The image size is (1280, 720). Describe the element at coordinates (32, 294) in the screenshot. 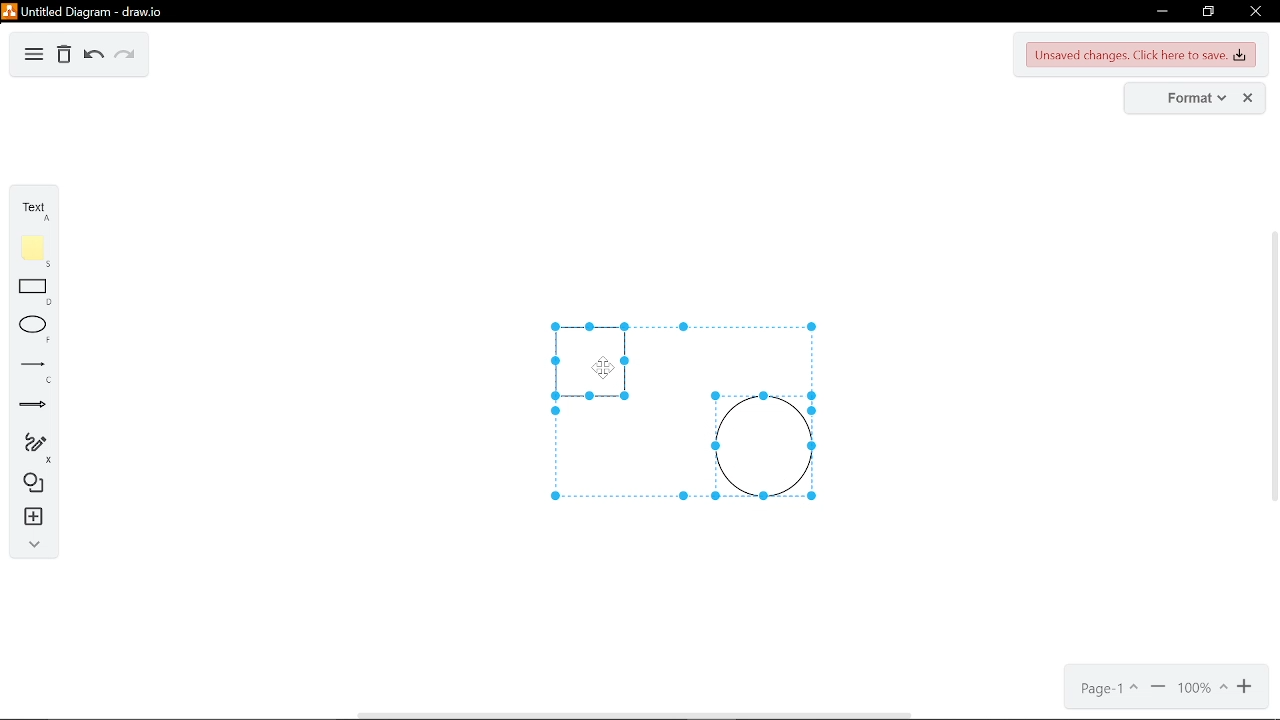

I see `rectangle` at that location.